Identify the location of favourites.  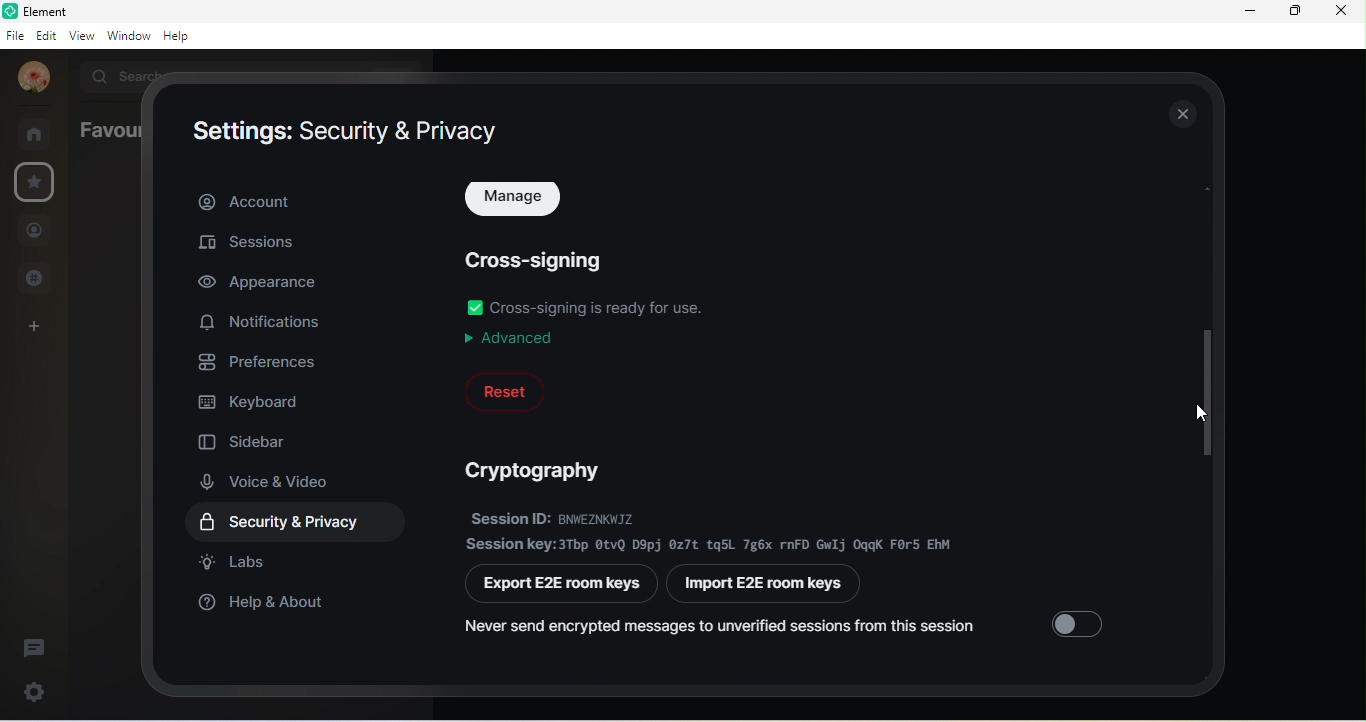
(109, 128).